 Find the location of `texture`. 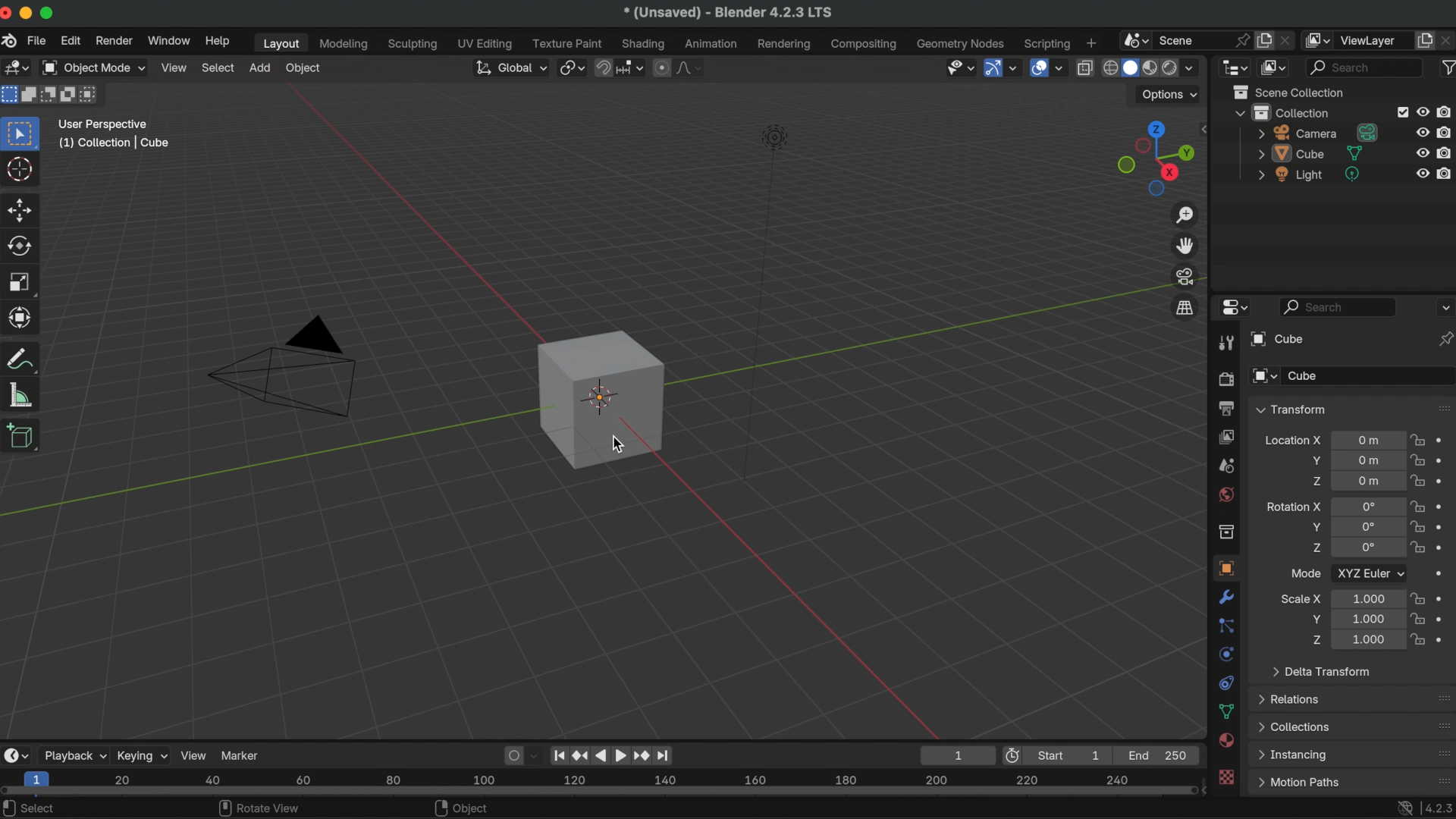

texture is located at coordinates (1228, 778).